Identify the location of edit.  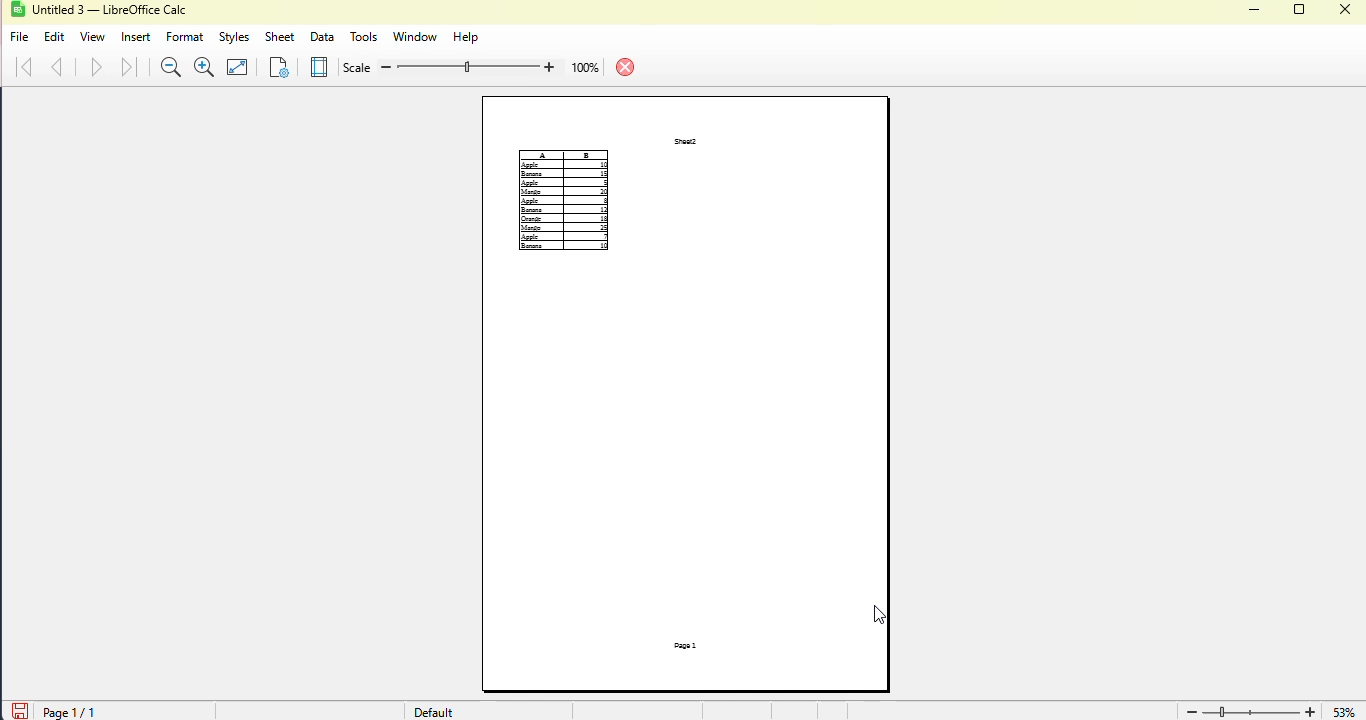
(55, 37).